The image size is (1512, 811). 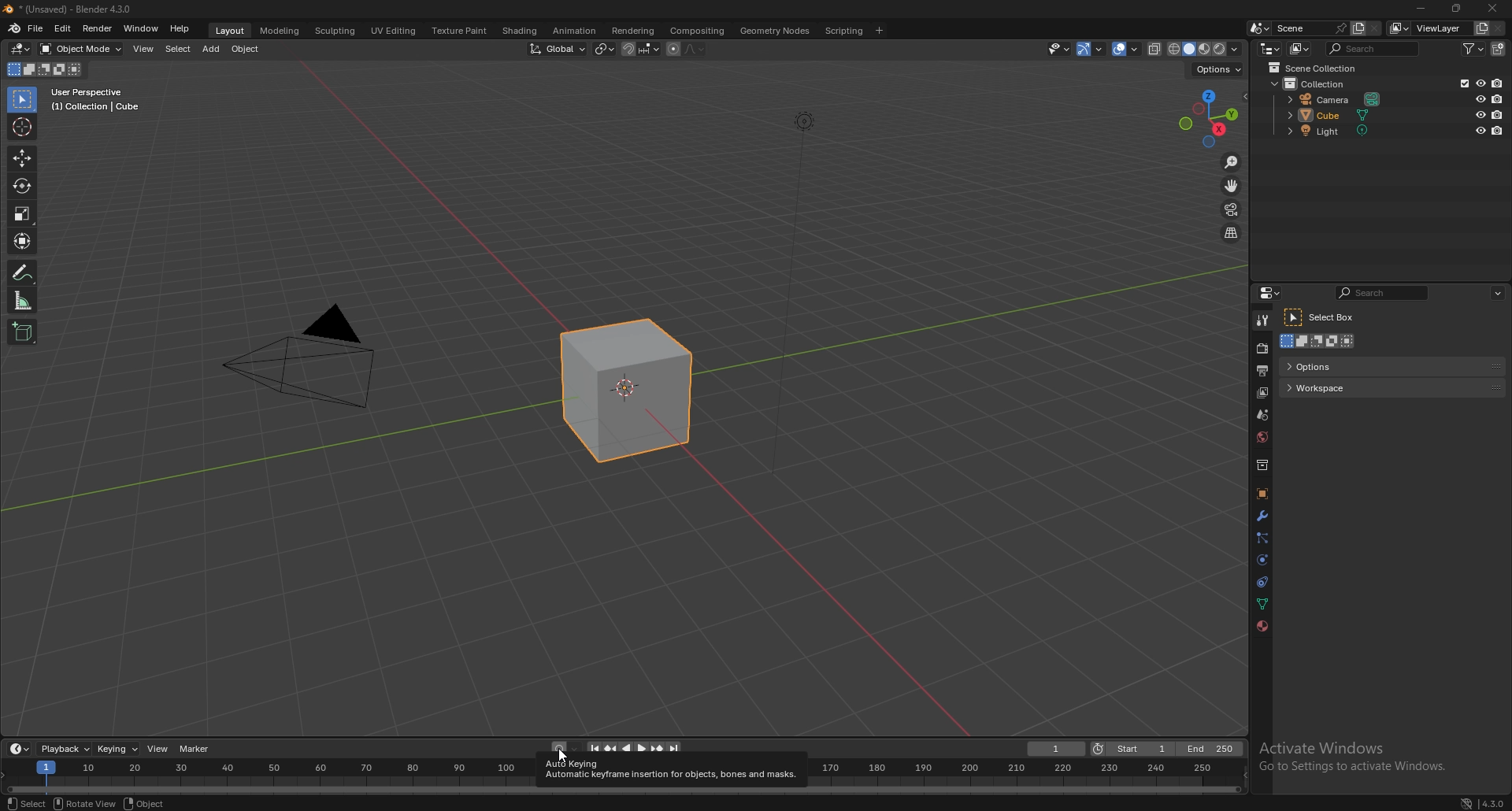 I want to click on Timeline, so click(x=1031, y=776).